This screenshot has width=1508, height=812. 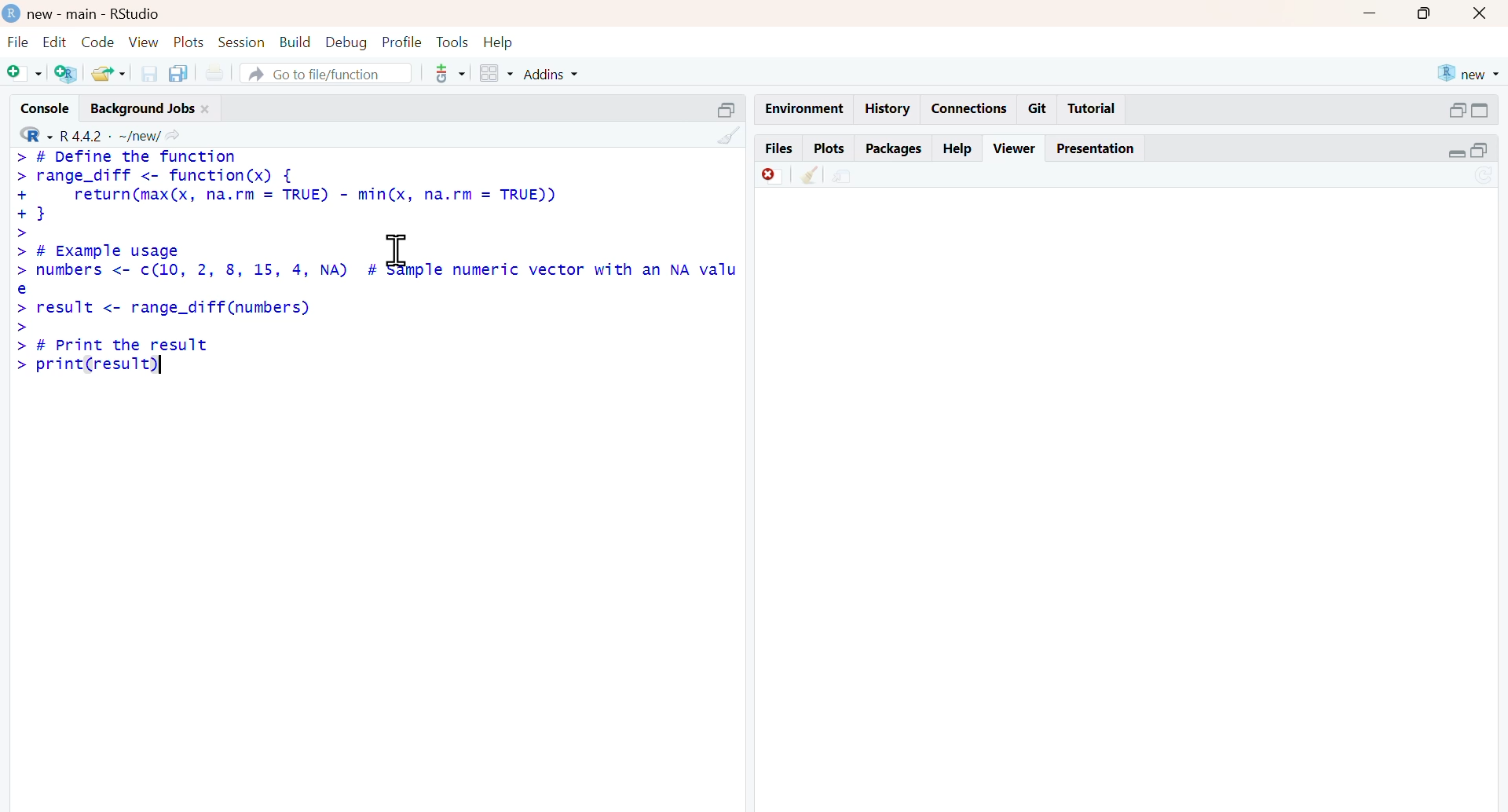 I want to click on connections, so click(x=970, y=109).